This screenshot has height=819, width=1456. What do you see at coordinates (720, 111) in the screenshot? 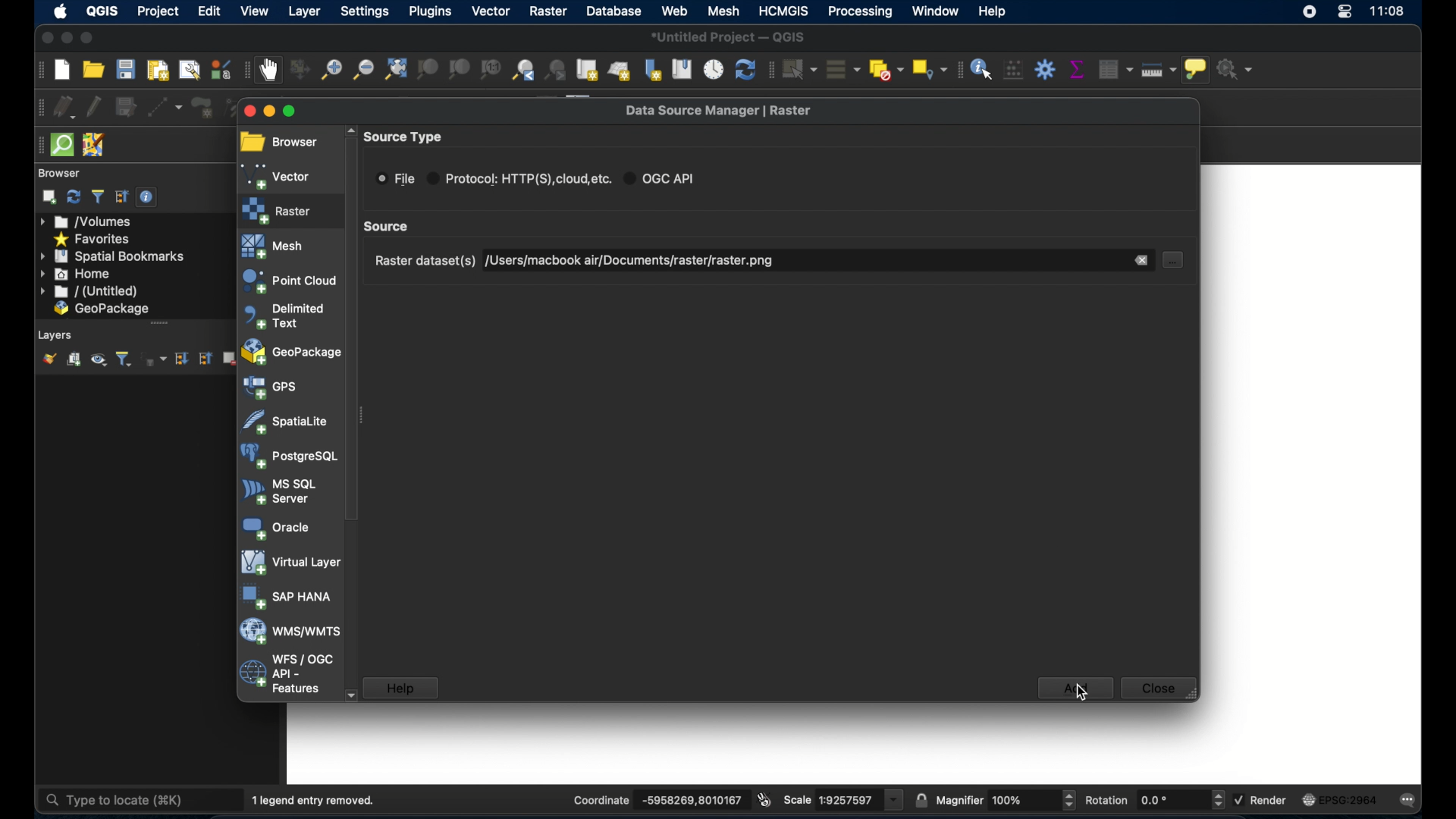
I see `data source manager raster` at bounding box center [720, 111].